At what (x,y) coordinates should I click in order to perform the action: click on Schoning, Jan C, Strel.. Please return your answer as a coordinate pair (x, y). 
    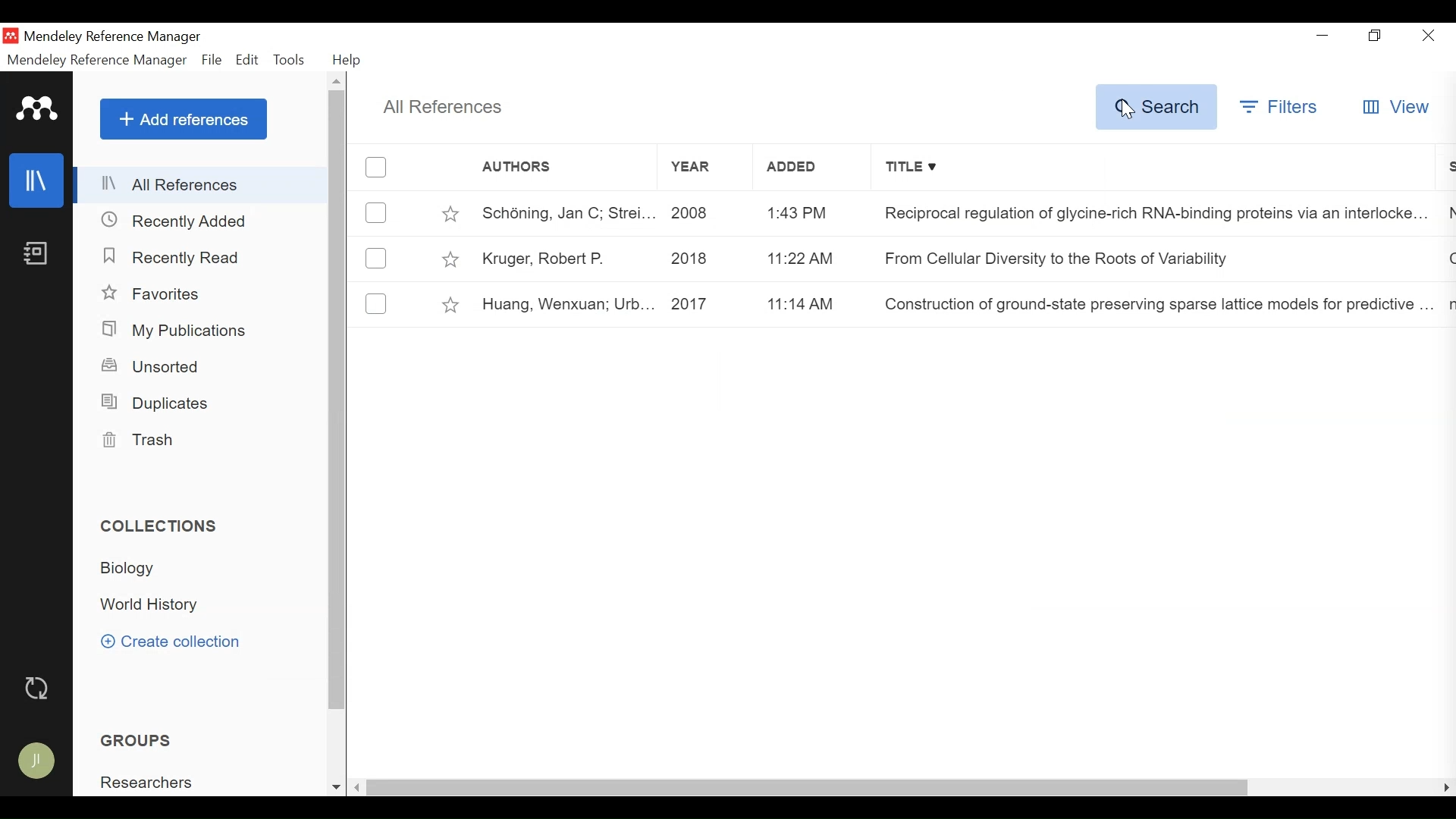
    Looking at the image, I should click on (563, 213).